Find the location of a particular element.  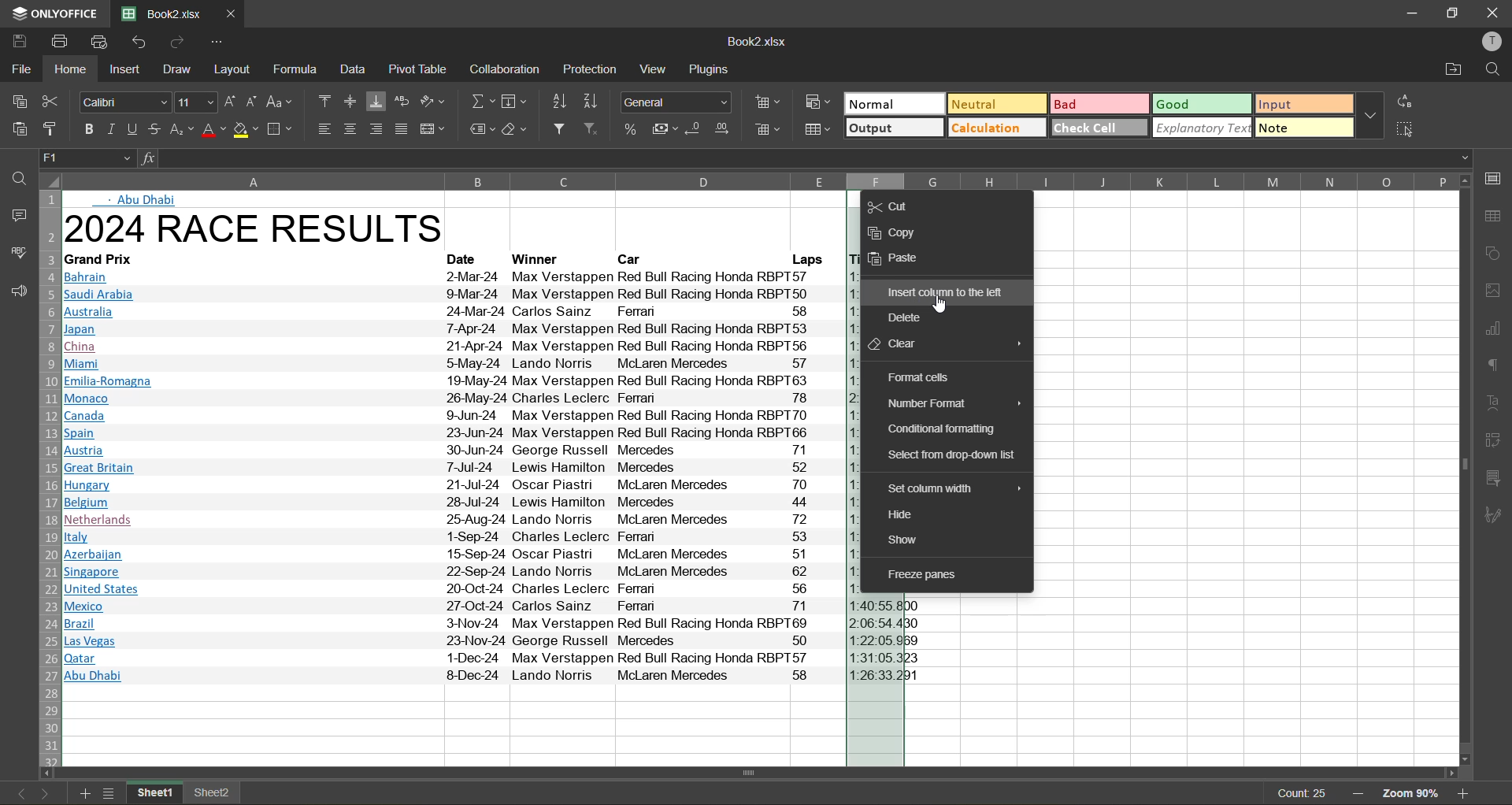

change case is located at coordinates (280, 102).